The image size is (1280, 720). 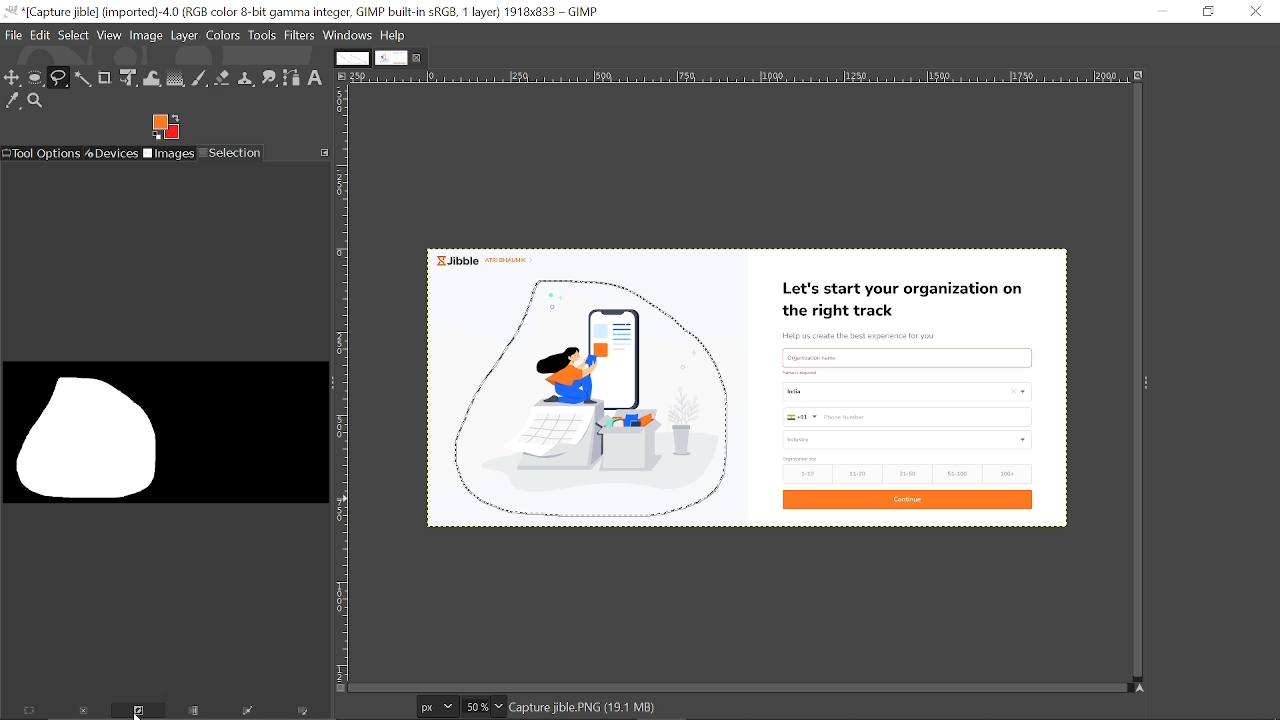 What do you see at coordinates (317, 78) in the screenshot?
I see `Text tool` at bounding box center [317, 78].